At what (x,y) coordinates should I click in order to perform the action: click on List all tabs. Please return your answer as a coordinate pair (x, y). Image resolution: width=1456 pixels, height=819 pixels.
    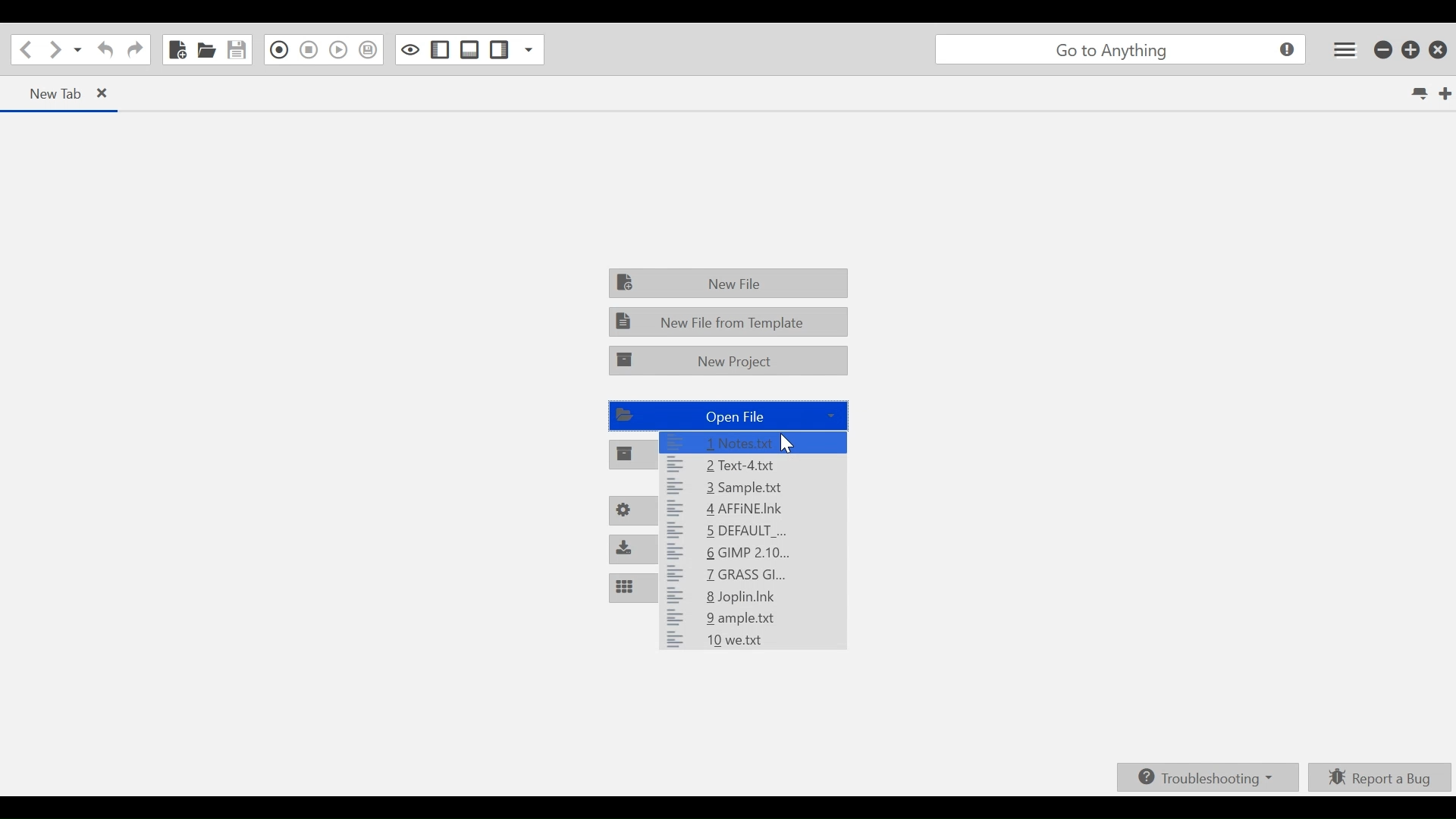
    Looking at the image, I should click on (1418, 93).